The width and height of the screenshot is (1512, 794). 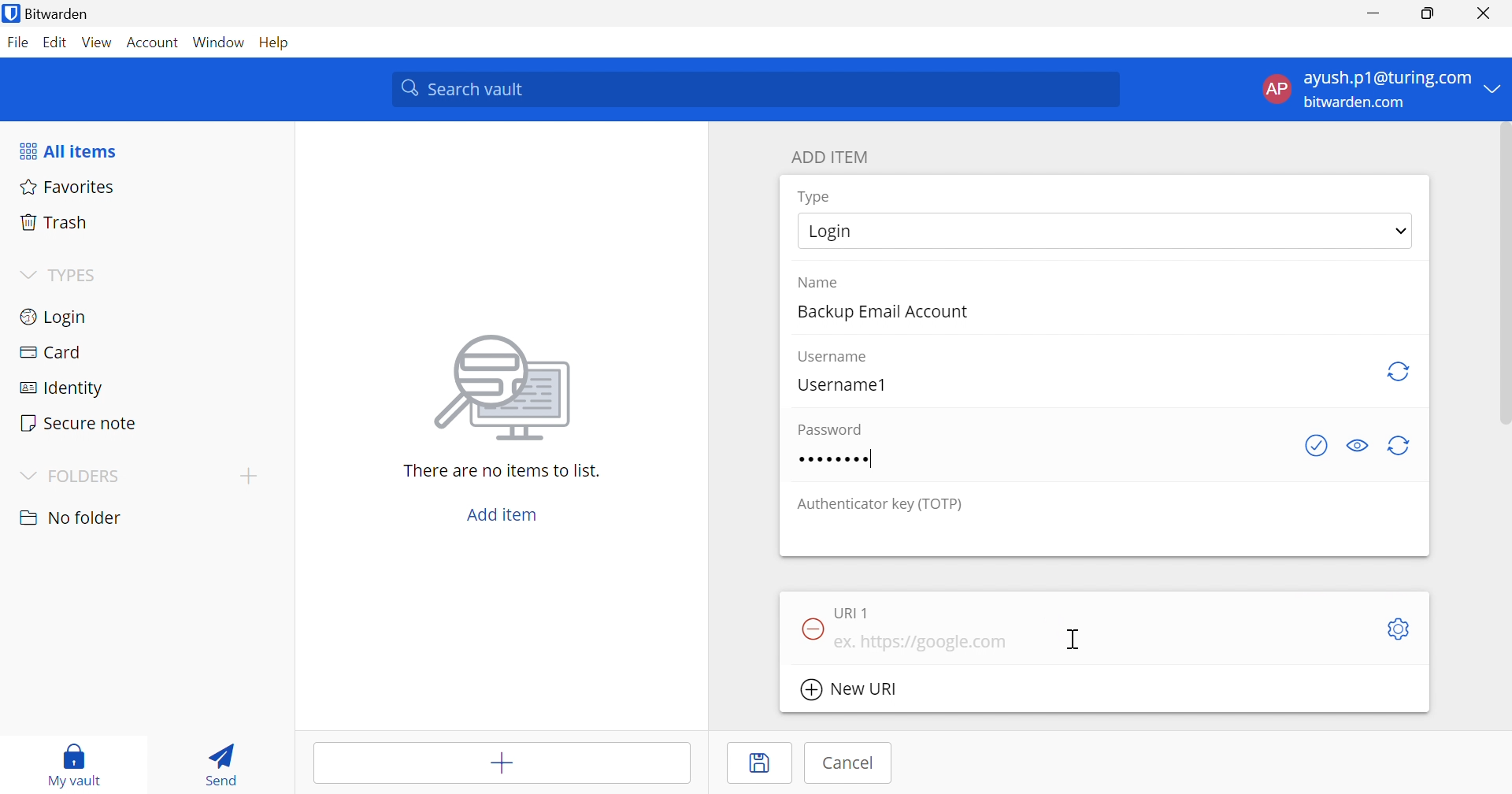 I want to click on Remove, so click(x=811, y=627).